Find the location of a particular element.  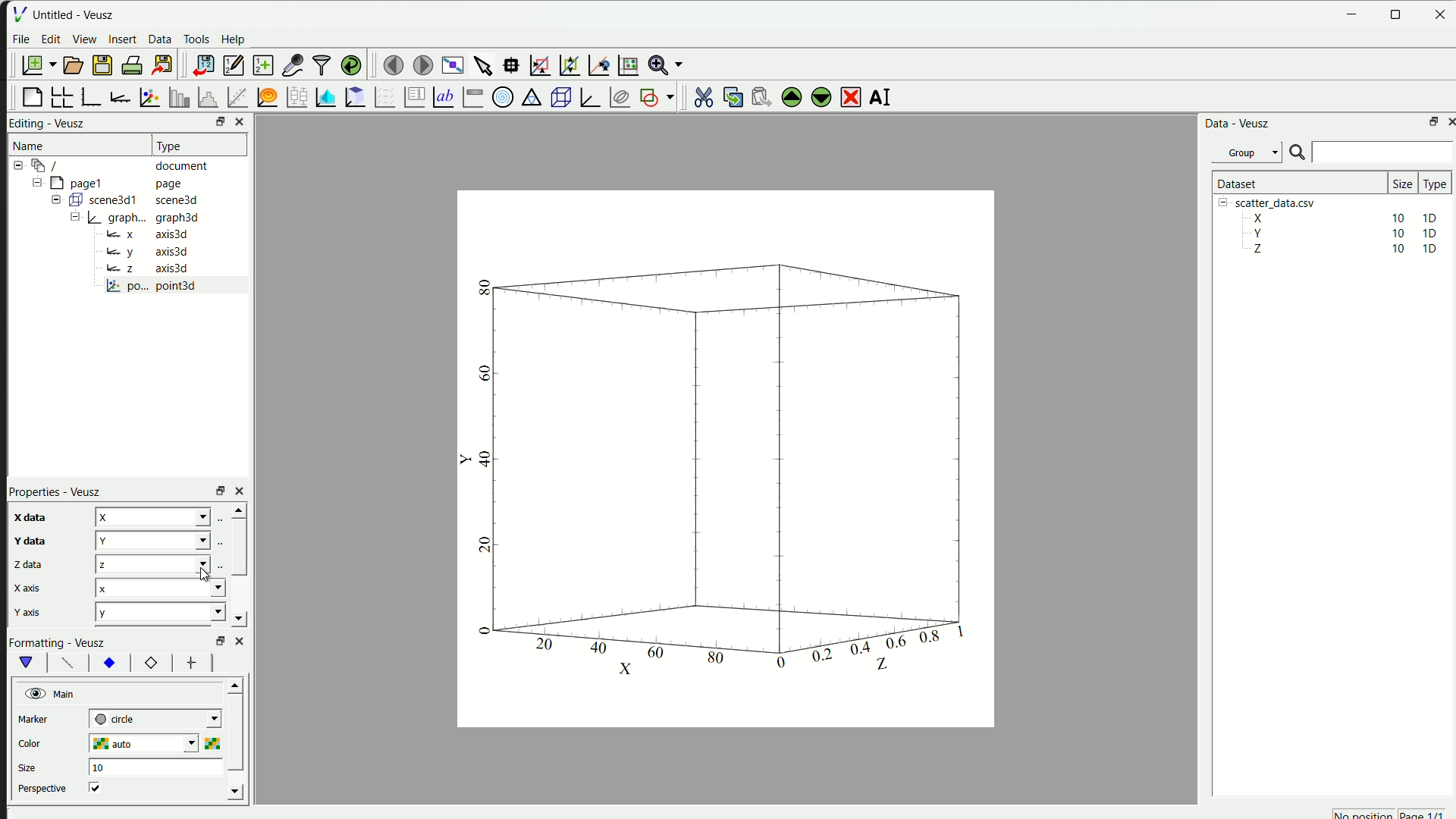

size is located at coordinates (31, 765).